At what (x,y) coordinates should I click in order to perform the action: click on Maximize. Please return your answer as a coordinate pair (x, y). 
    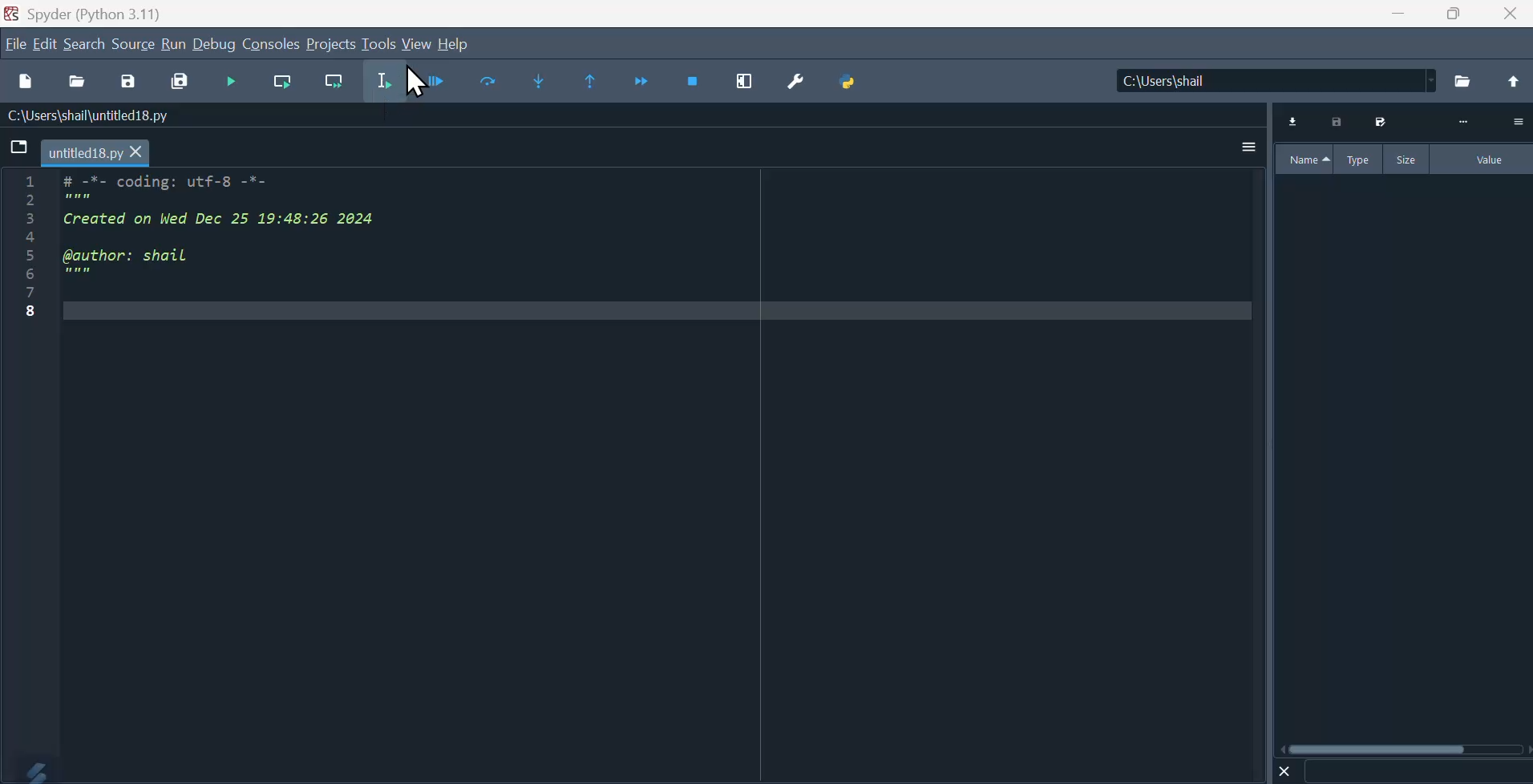
    Looking at the image, I should click on (1454, 14).